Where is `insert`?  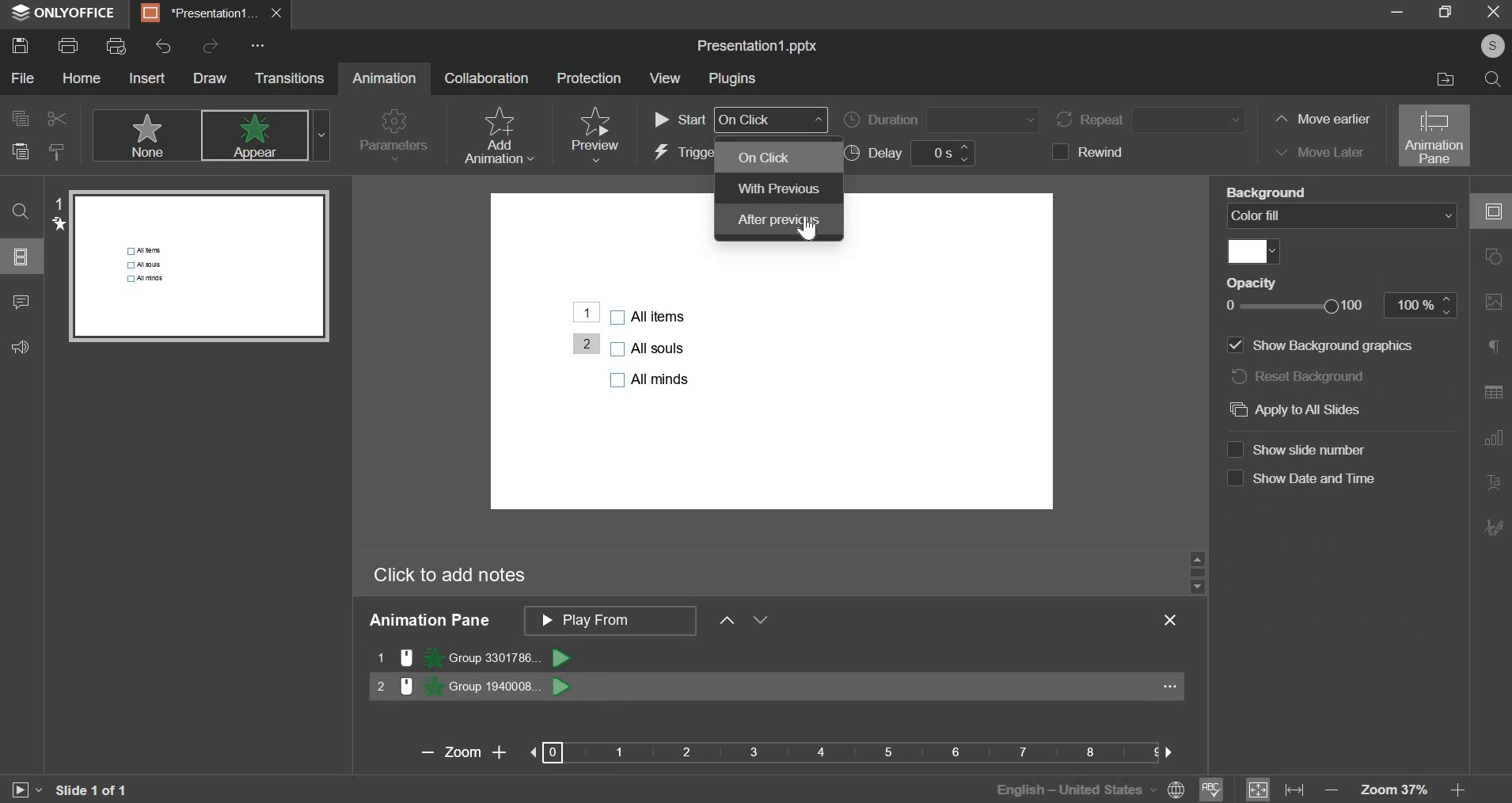 insert is located at coordinates (146, 78).